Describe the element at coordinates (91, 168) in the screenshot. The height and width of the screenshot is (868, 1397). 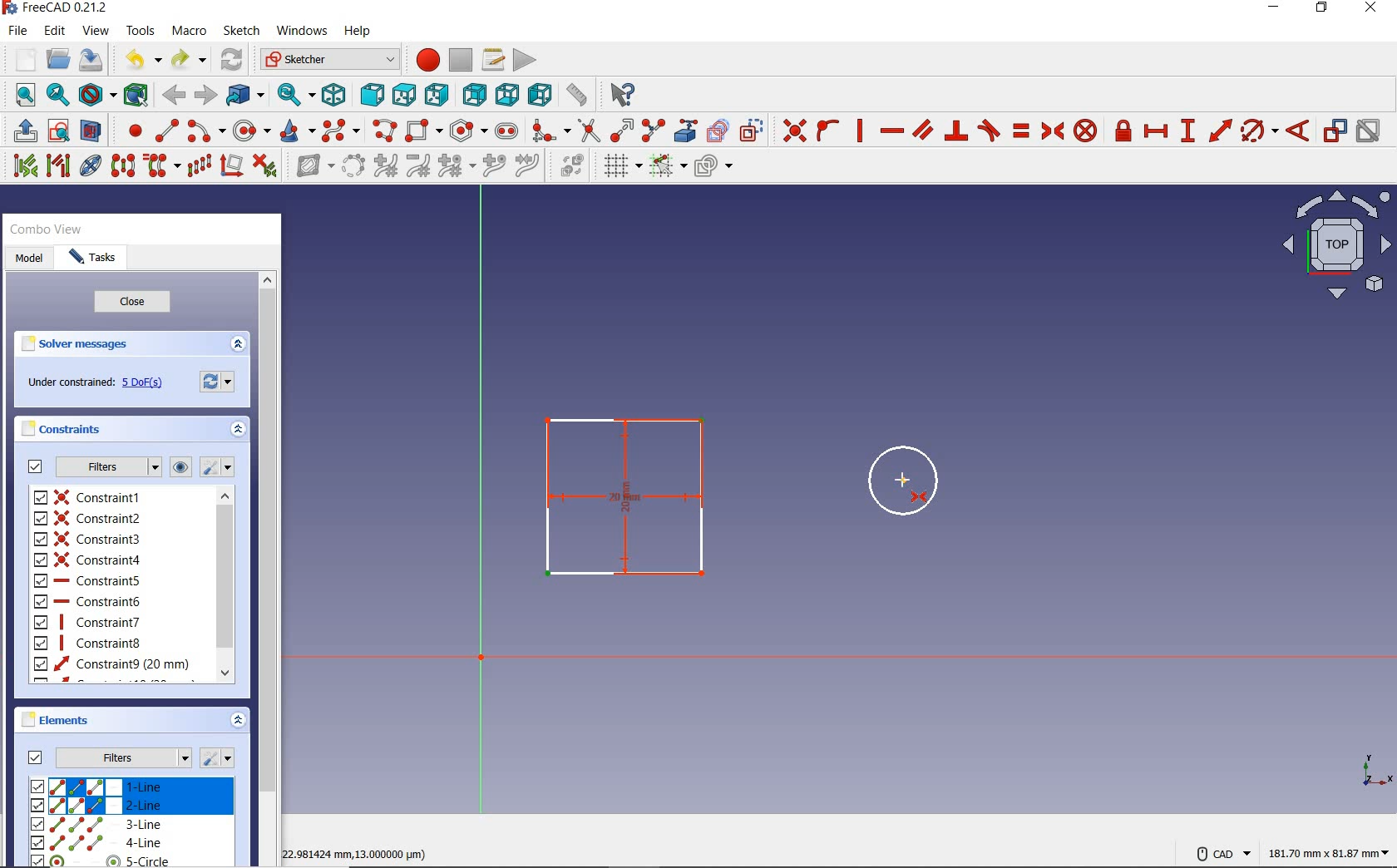
I see `show/hide internal geometry` at that location.